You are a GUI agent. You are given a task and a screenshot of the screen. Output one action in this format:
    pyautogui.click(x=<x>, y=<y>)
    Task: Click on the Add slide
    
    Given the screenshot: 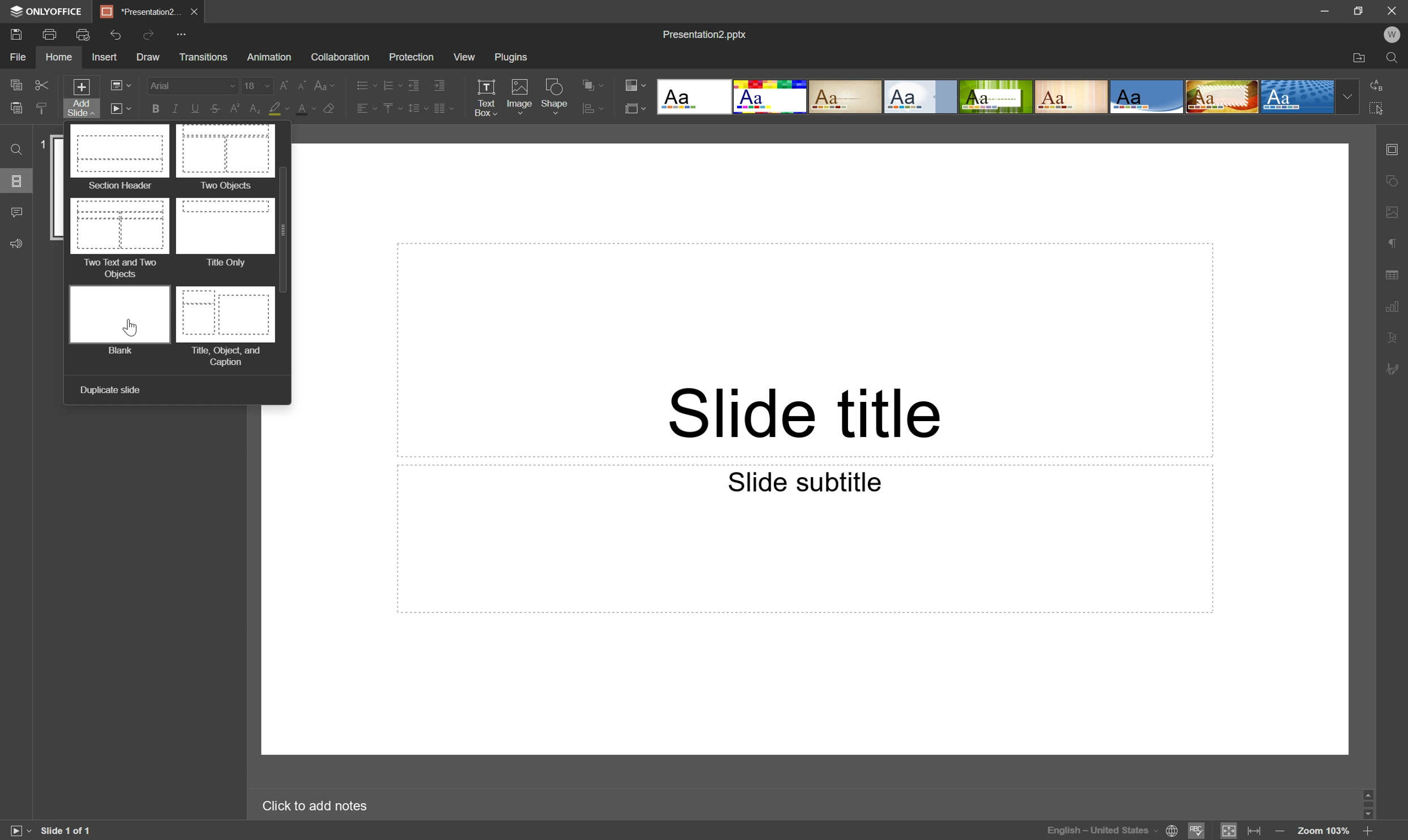 What is the action you would take?
    pyautogui.click(x=79, y=97)
    